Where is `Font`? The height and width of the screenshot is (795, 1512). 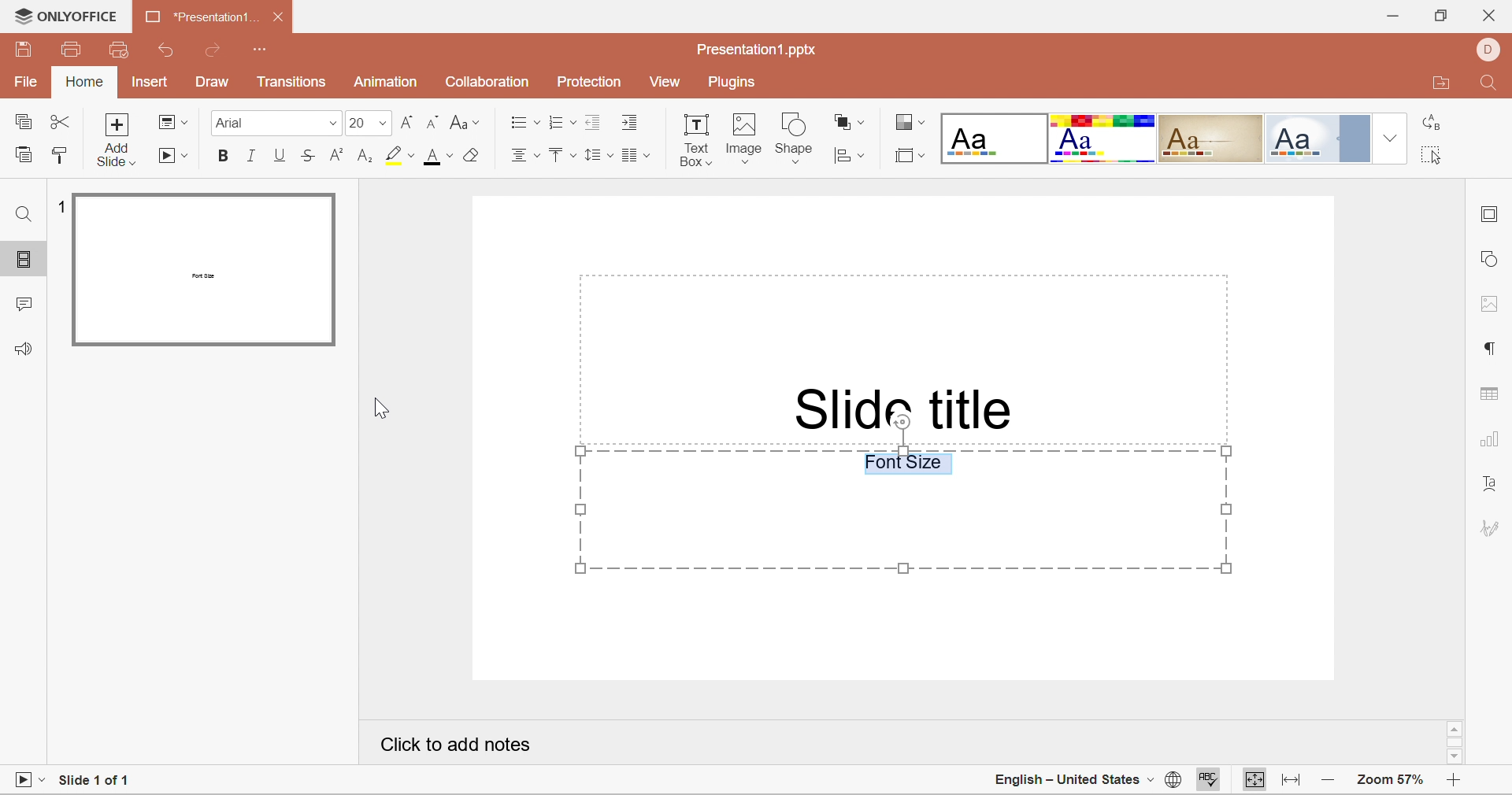 Font is located at coordinates (230, 122).